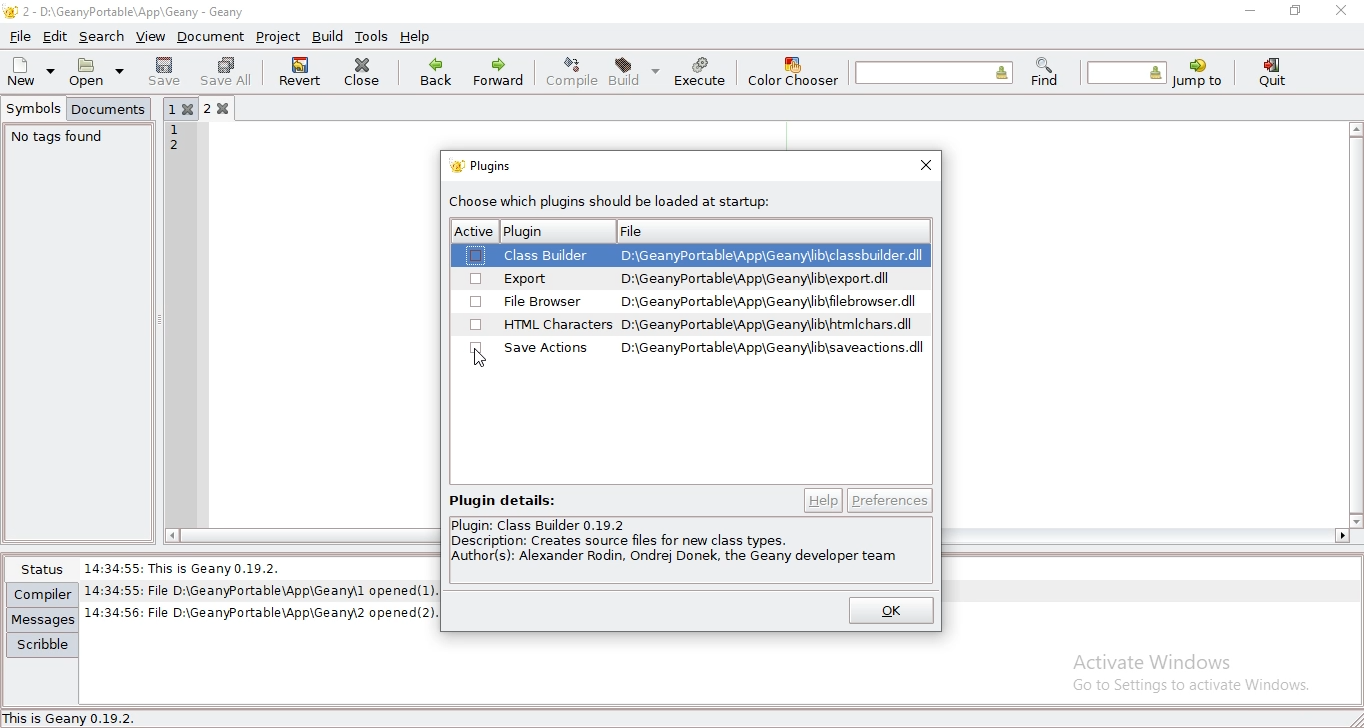 The image size is (1364, 728). Describe the element at coordinates (1044, 72) in the screenshot. I see `find` at that location.